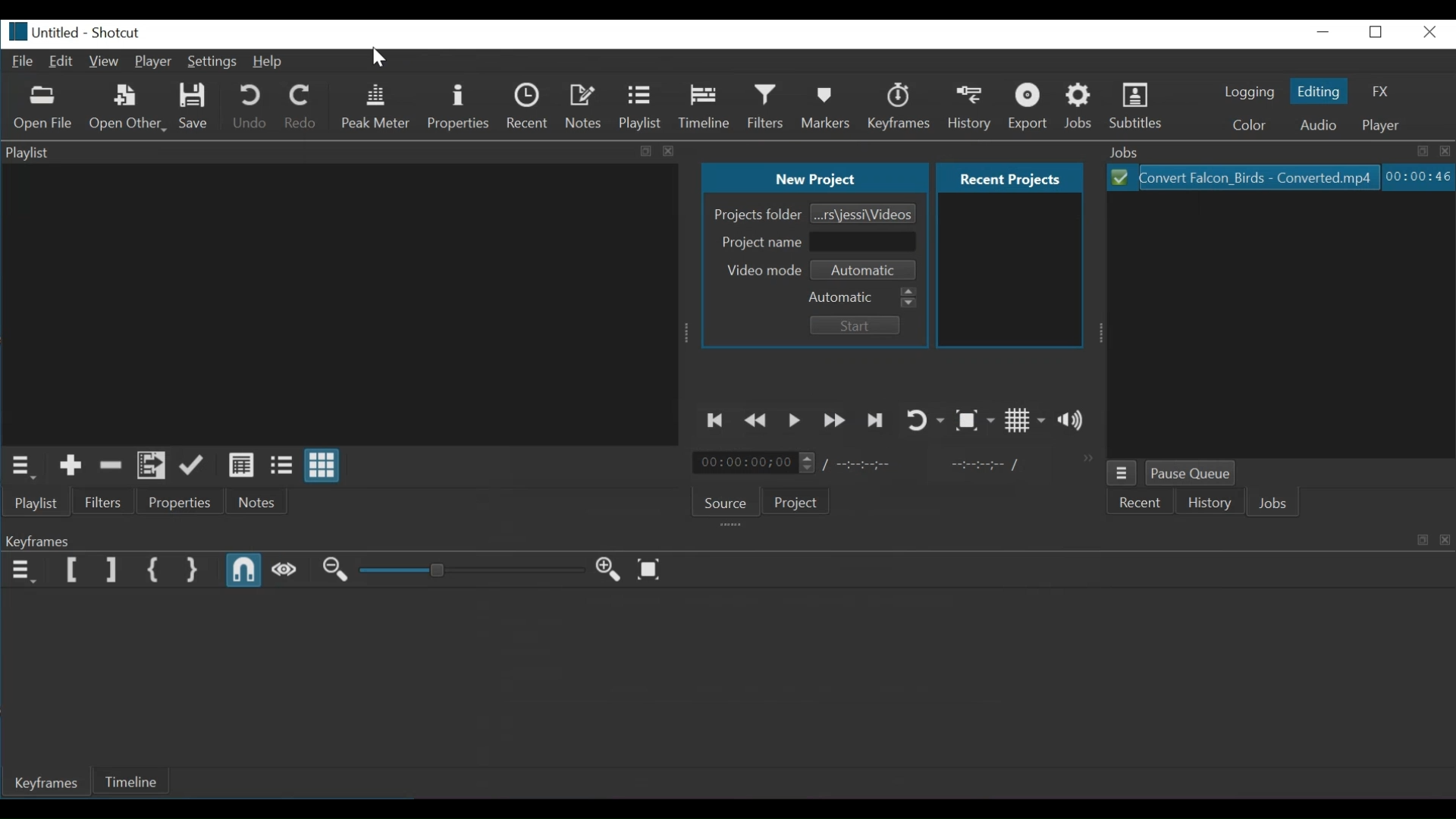 Image resolution: width=1456 pixels, height=819 pixels. Describe the element at coordinates (1320, 127) in the screenshot. I see `Audio` at that location.